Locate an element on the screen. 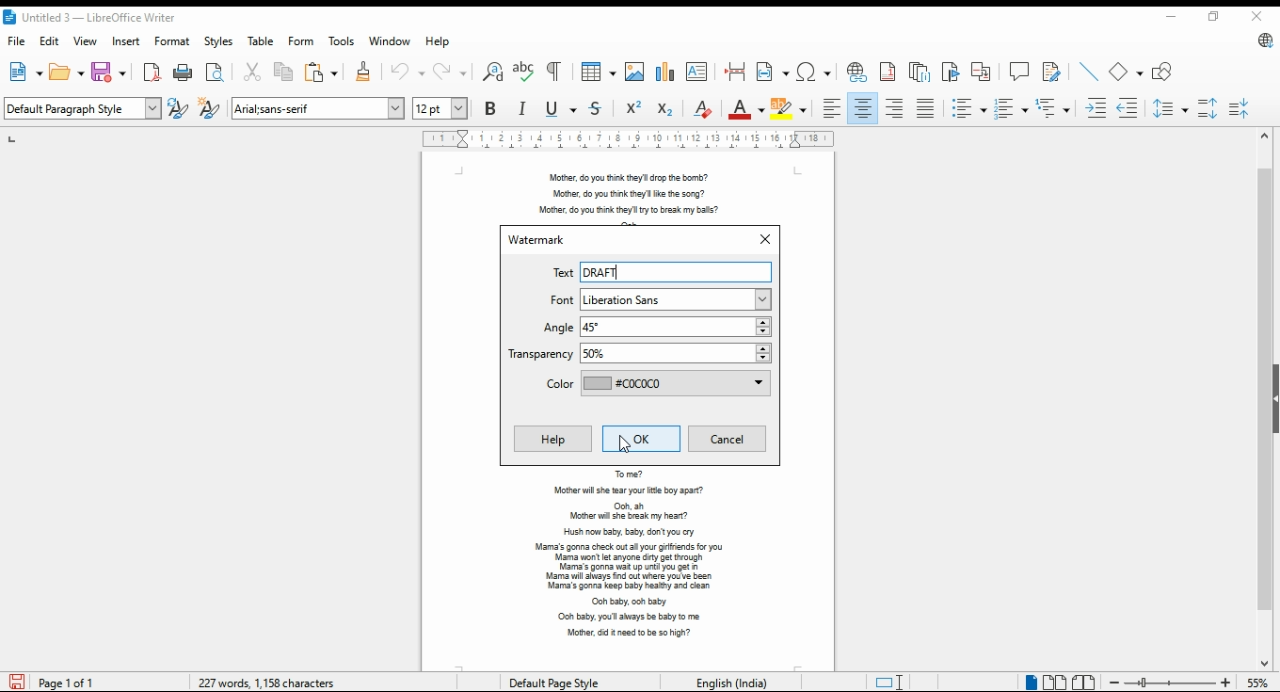  insert bookmark is located at coordinates (950, 72).